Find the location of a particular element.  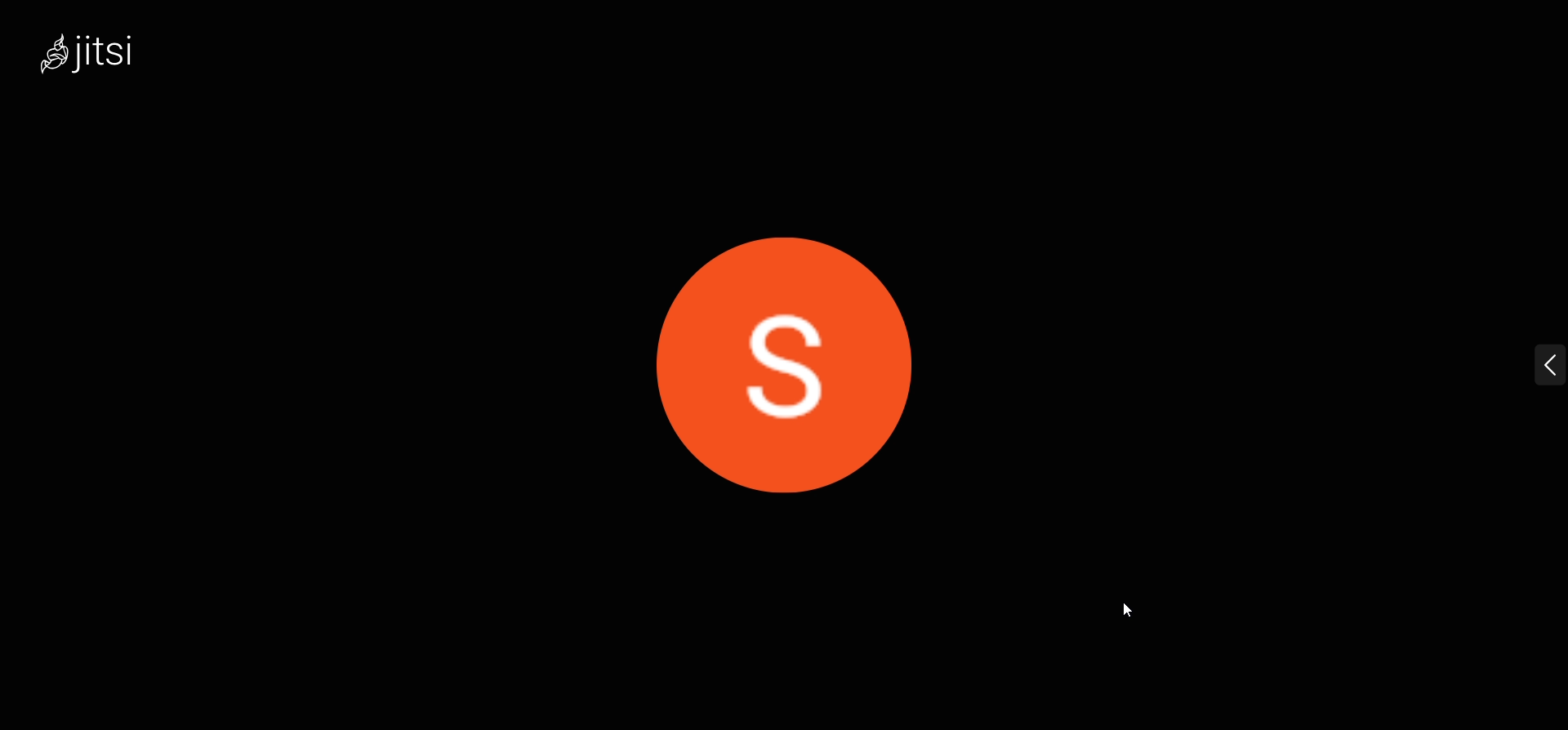

jitsi is located at coordinates (114, 60).